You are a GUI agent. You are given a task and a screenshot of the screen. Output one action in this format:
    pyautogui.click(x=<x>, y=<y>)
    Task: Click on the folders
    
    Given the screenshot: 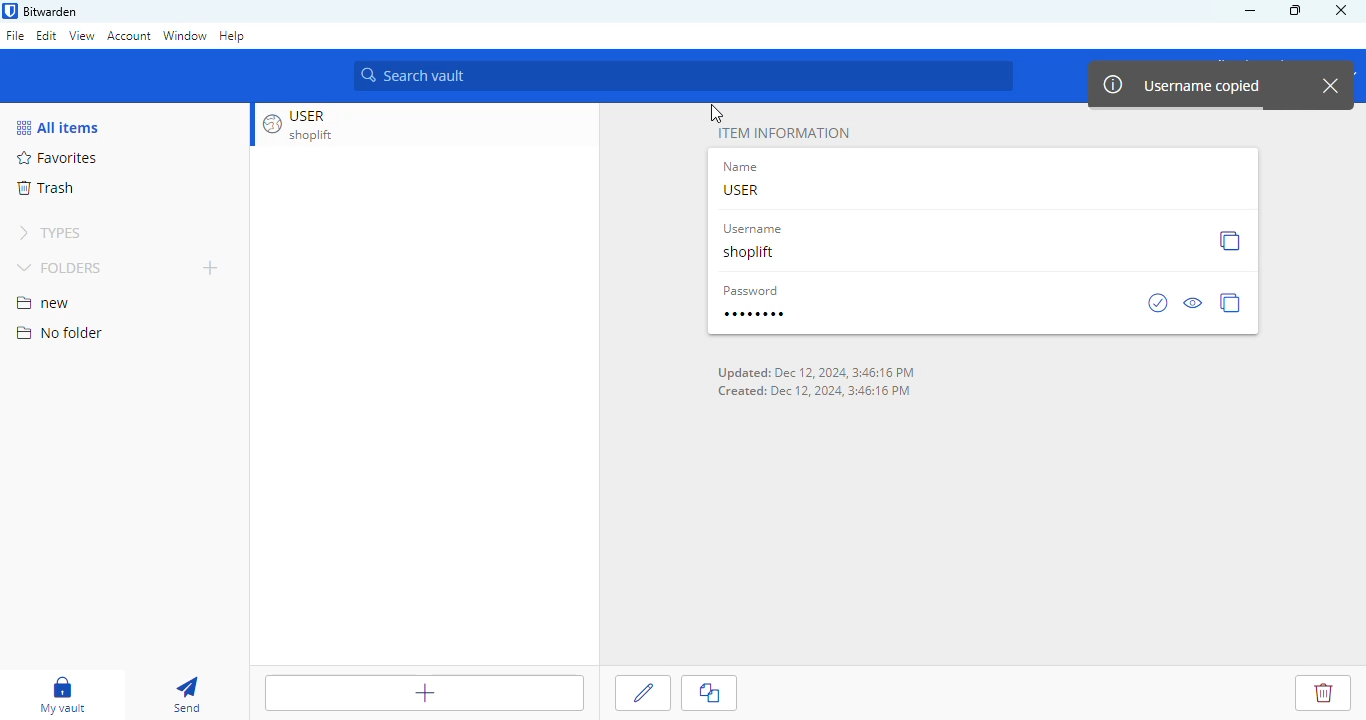 What is the action you would take?
    pyautogui.click(x=61, y=267)
    